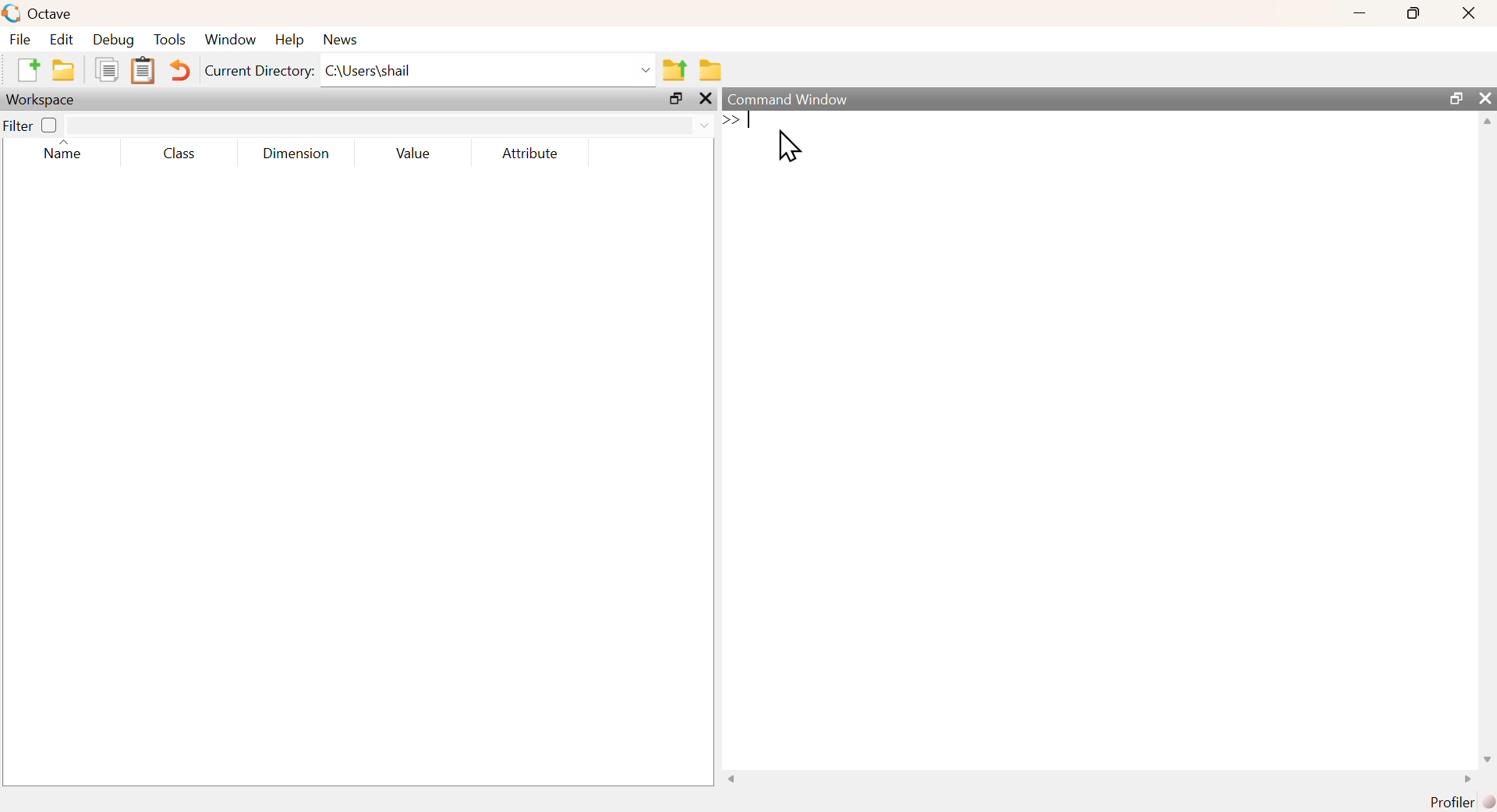  Describe the element at coordinates (1413, 14) in the screenshot. I see `maximize` at that location.